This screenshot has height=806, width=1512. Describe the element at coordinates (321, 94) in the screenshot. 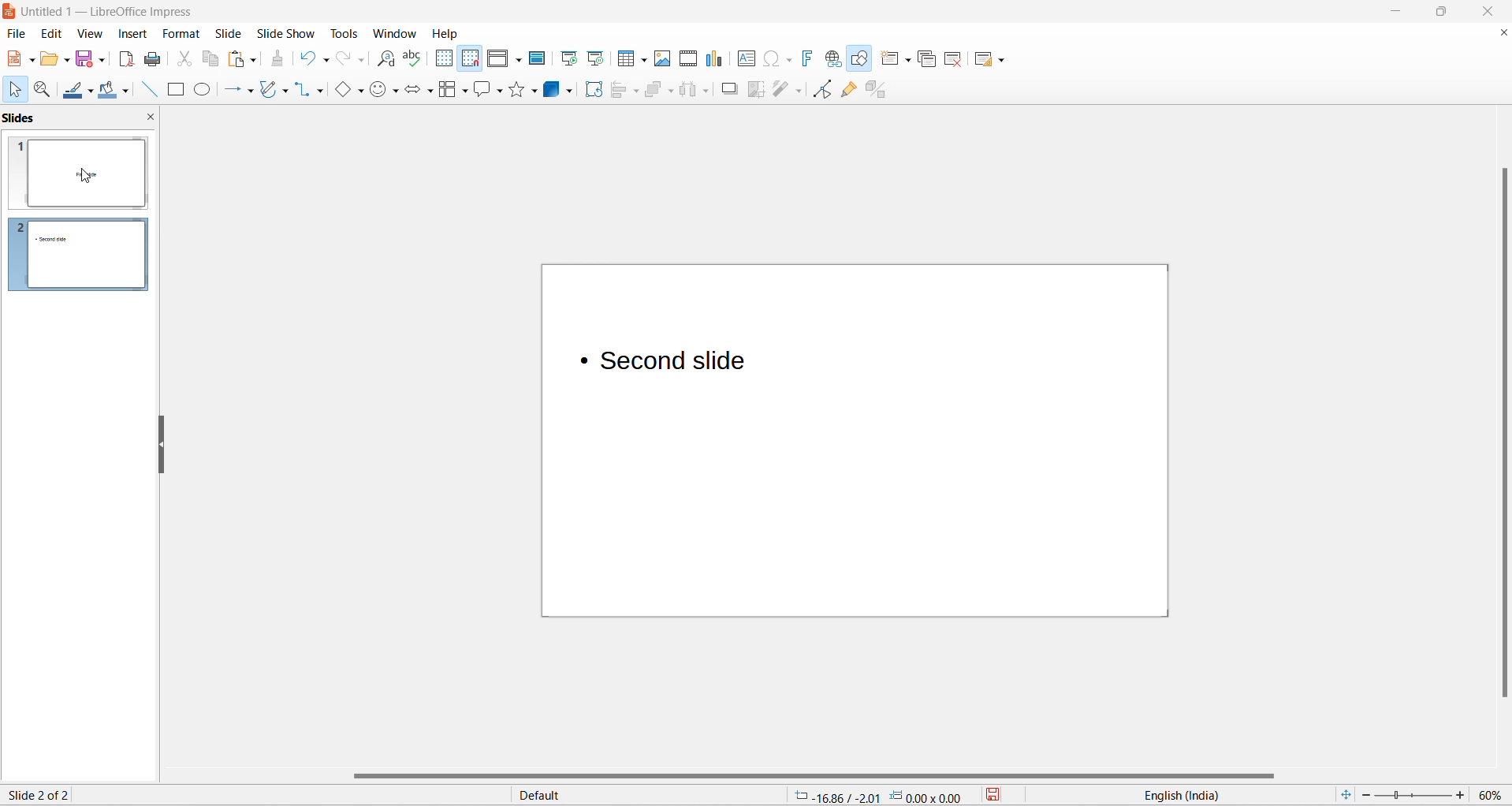

I see `connectors option` at that location.